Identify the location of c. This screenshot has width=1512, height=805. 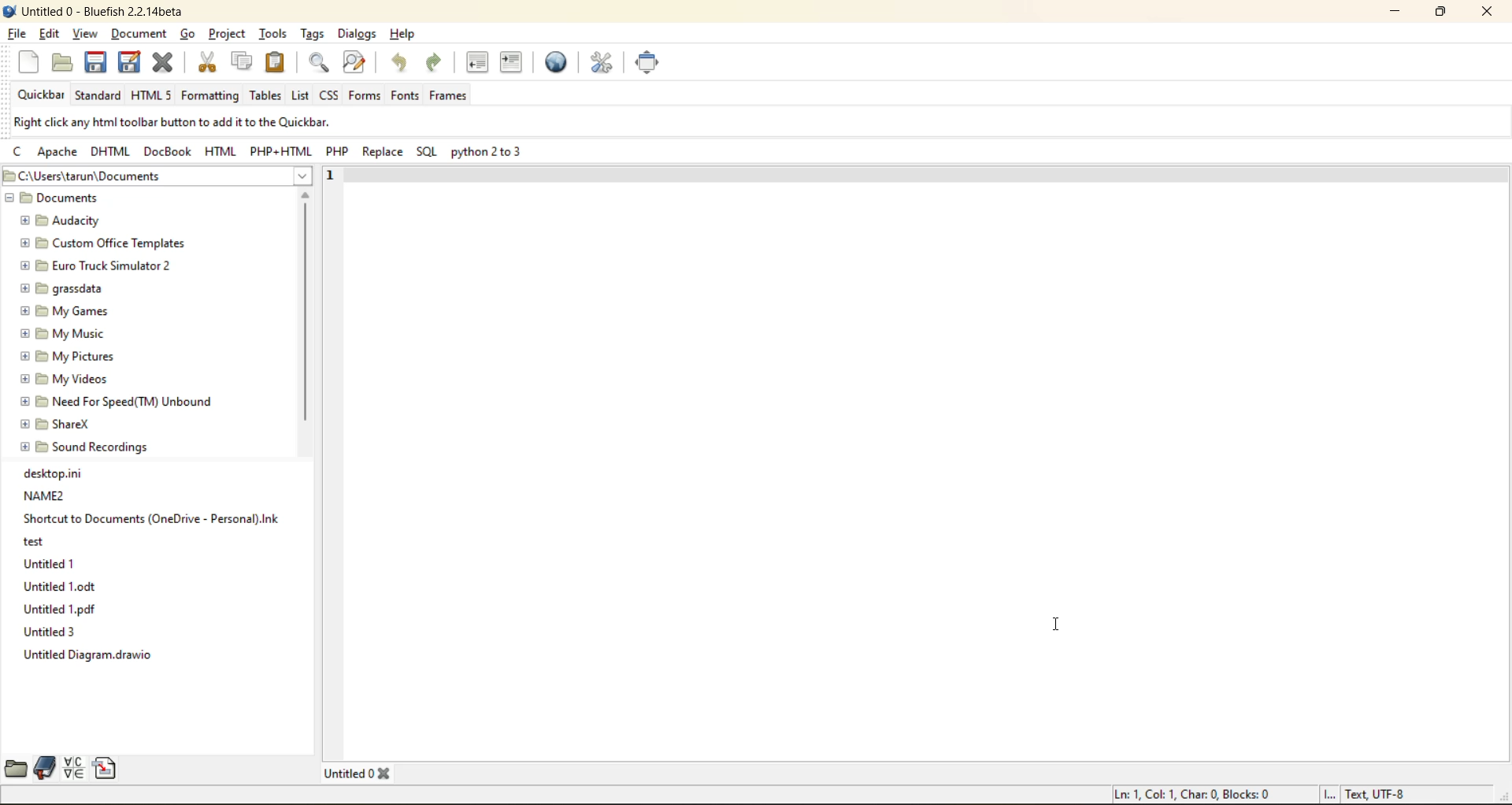
(22, 154).